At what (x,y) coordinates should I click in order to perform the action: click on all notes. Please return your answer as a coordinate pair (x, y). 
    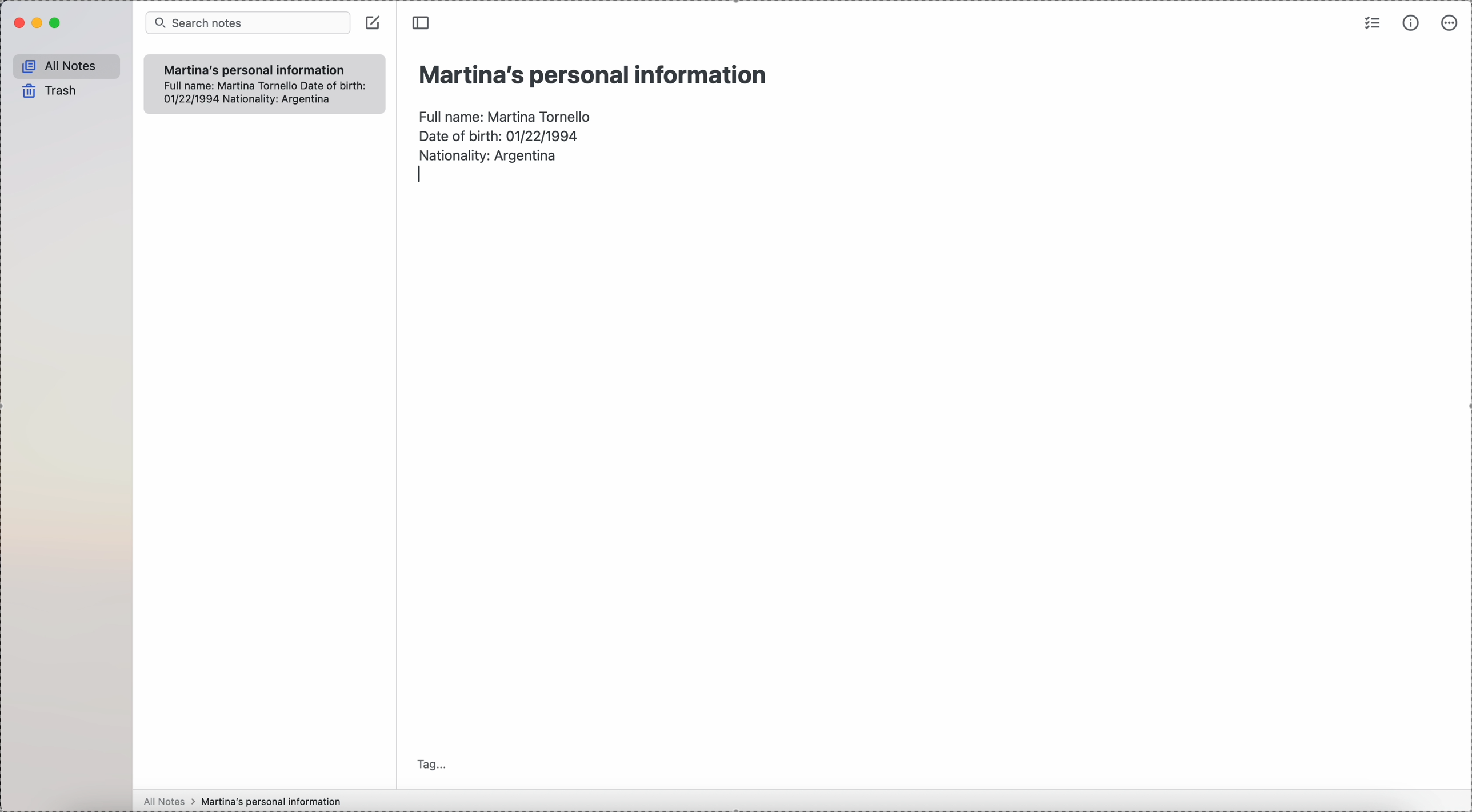
    Looking at the image, I should click on (66, 66).